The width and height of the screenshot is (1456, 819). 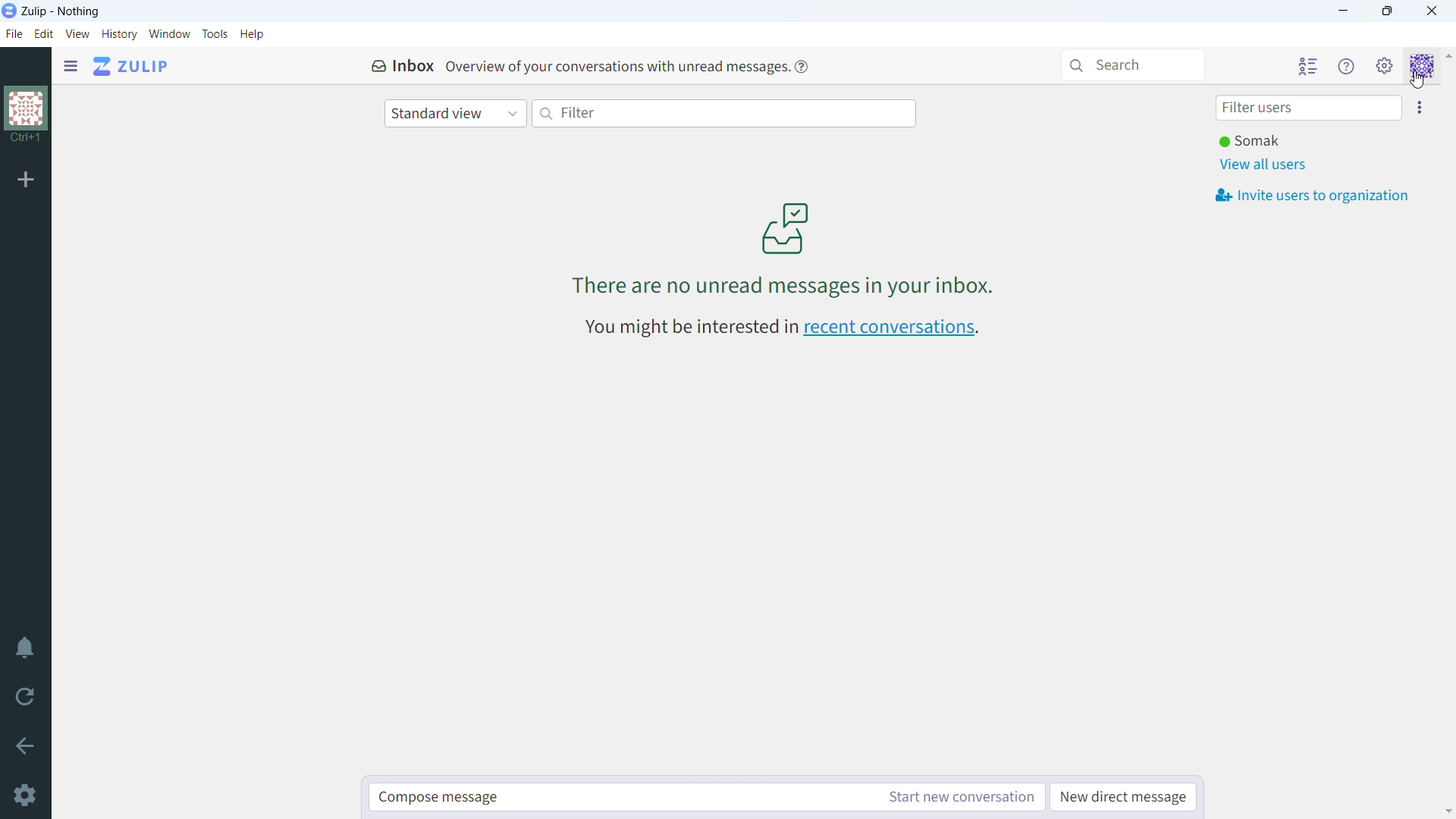 What do you see at coordinates (26, 744) in the screenshot?
I see `go back` at bounding box center [26, 744].